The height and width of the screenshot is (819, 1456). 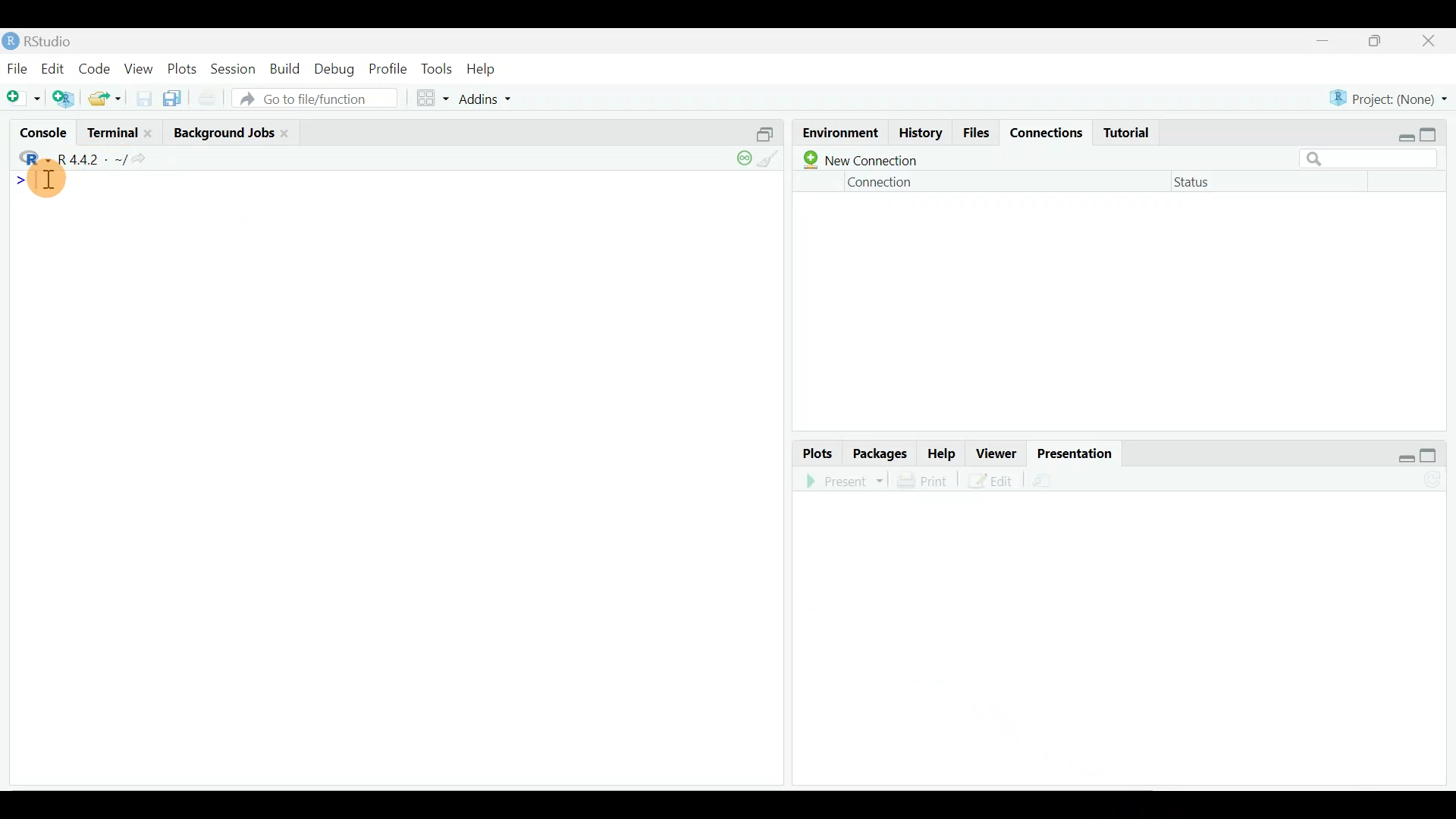 I want to click on Session, so click(x=233, y=67).